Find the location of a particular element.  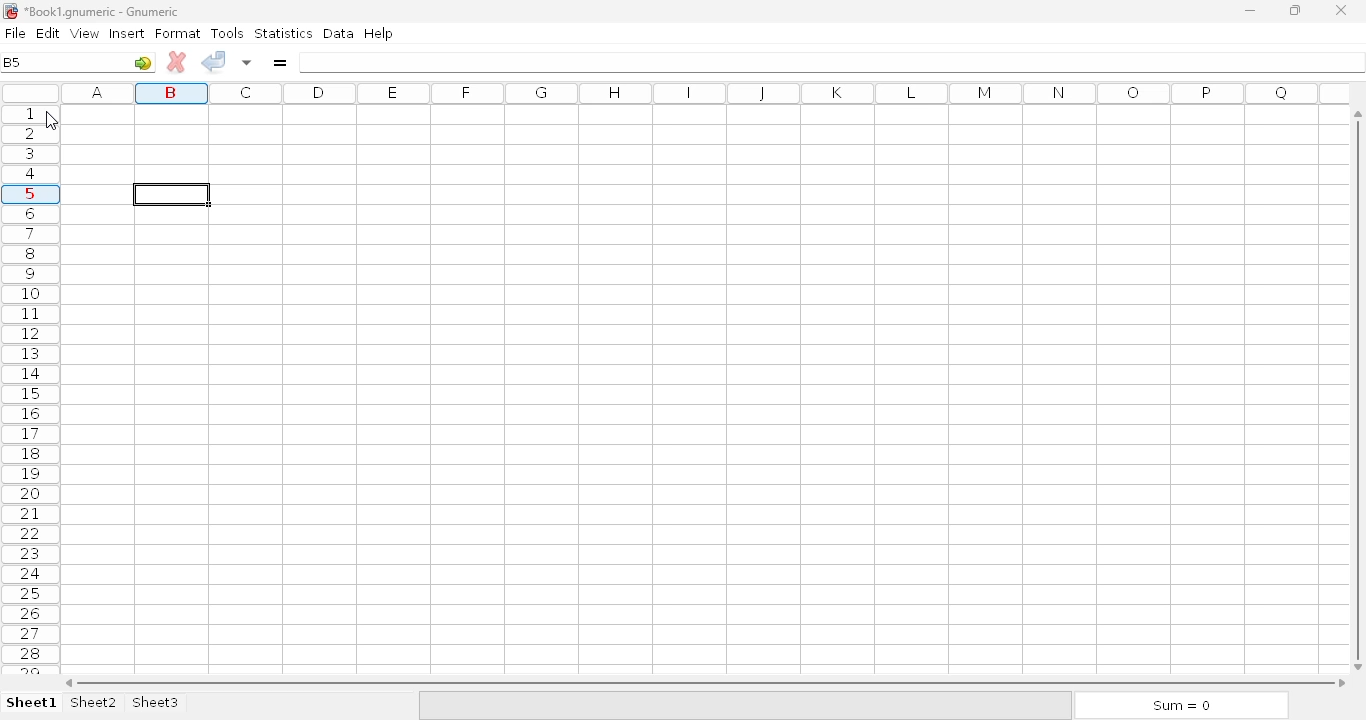

sheet2 is located at coordinates (95, 703).